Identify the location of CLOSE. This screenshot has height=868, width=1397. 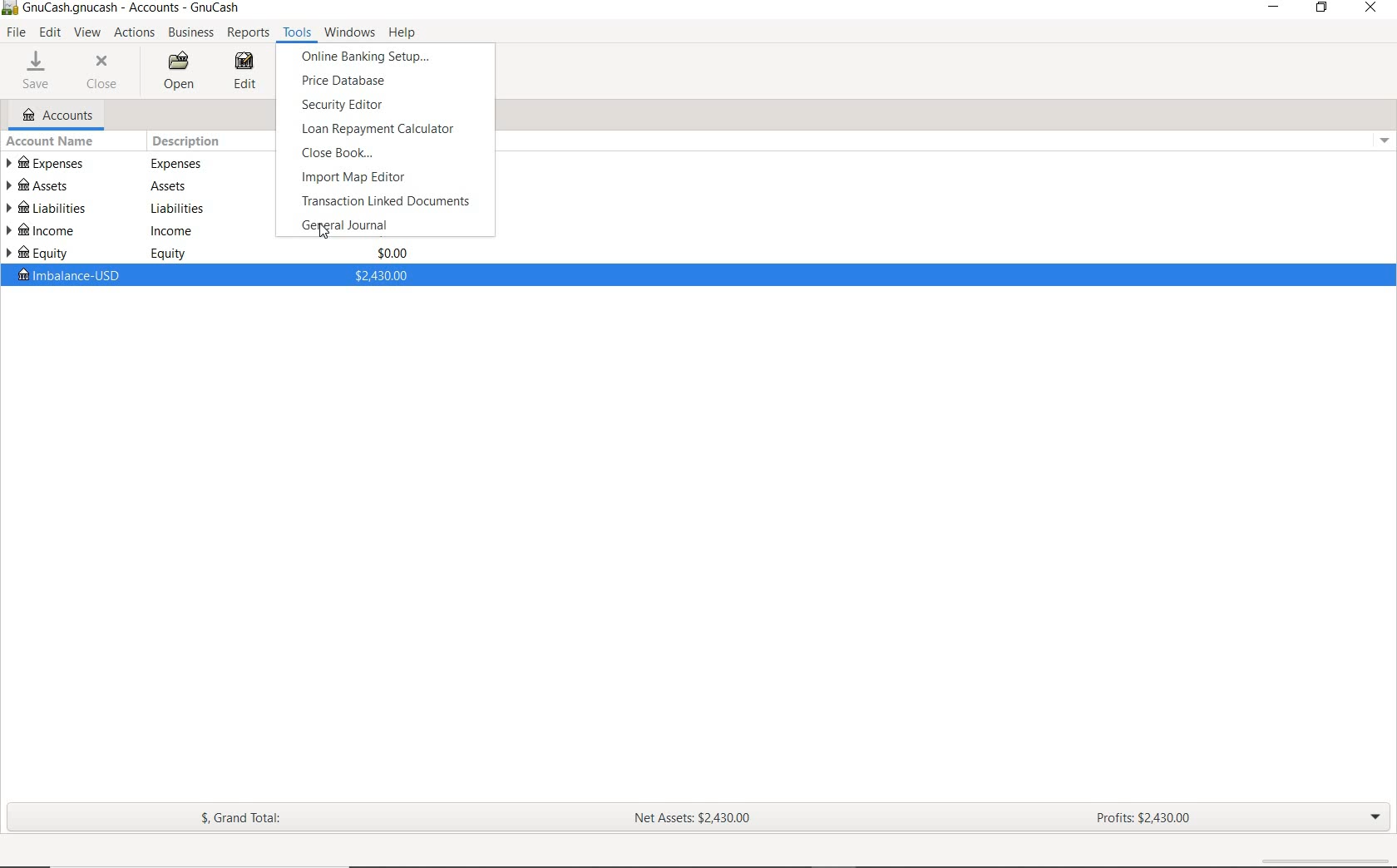
(103, 71).